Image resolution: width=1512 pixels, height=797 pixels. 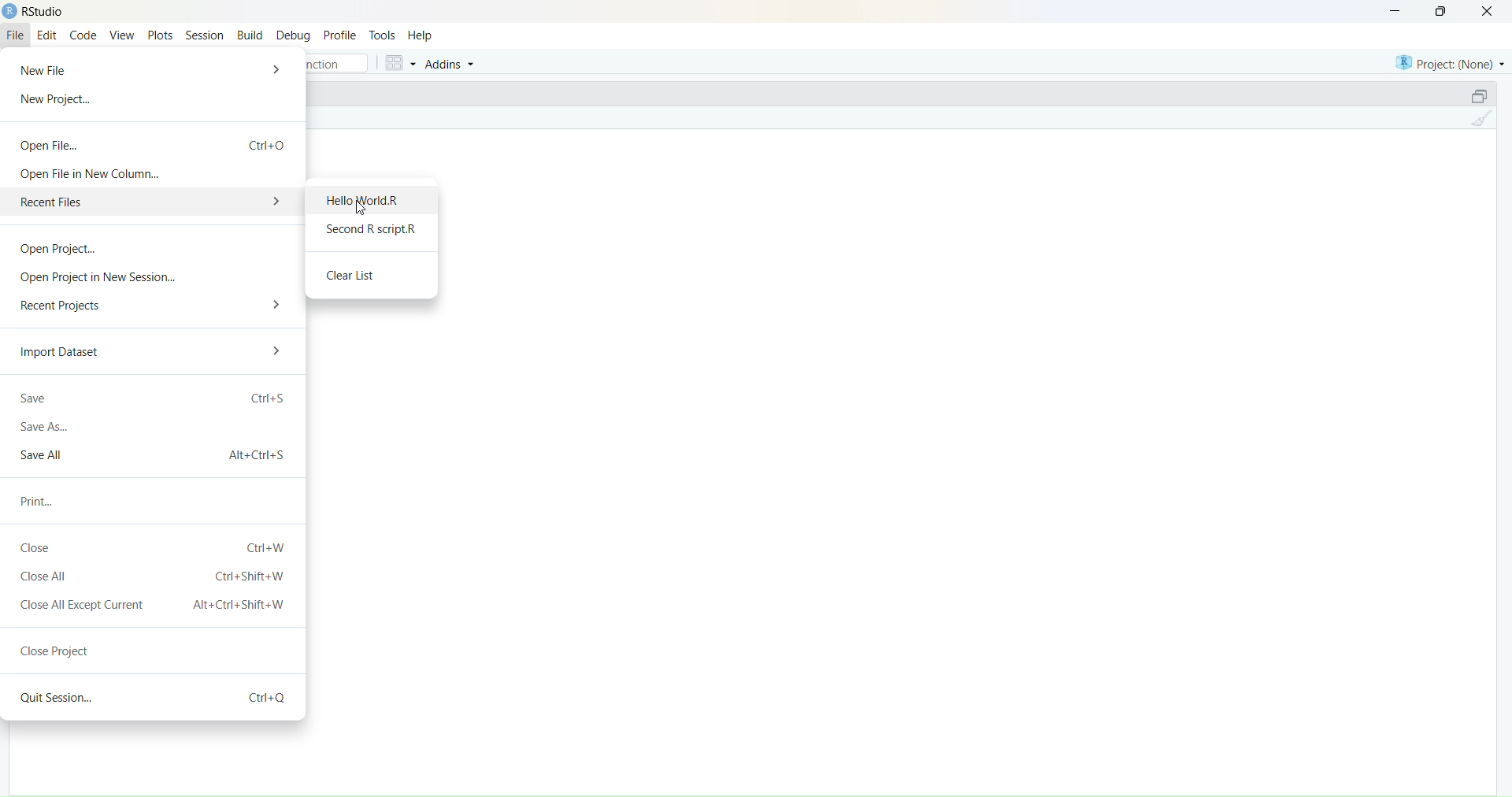 What do you see at coordinates (101, 276) in the screenshot?
I see `‘Open Project in New Session...` at bounding box center [101, 276].